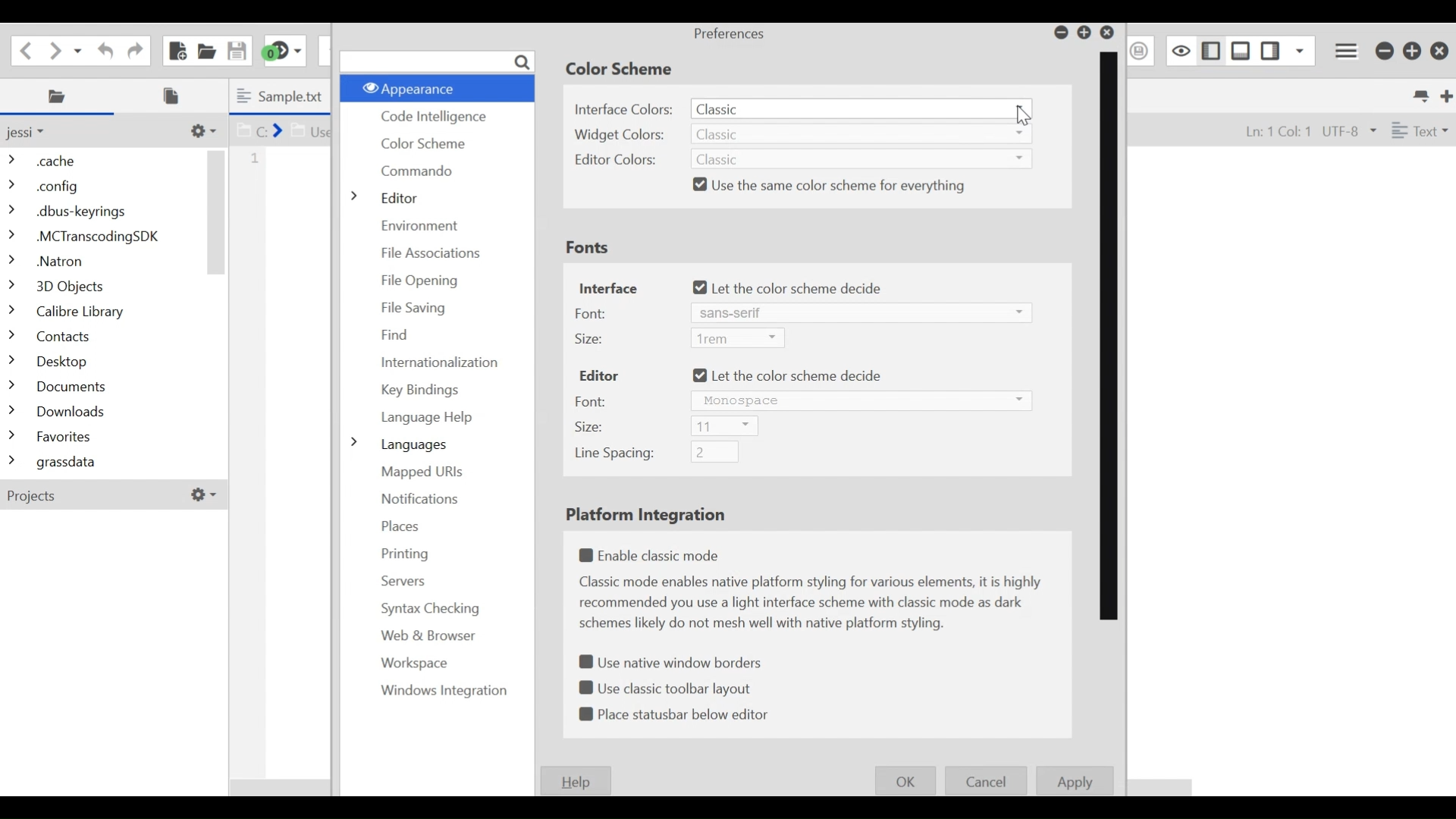  I want to click on Font, so click(591, 313).